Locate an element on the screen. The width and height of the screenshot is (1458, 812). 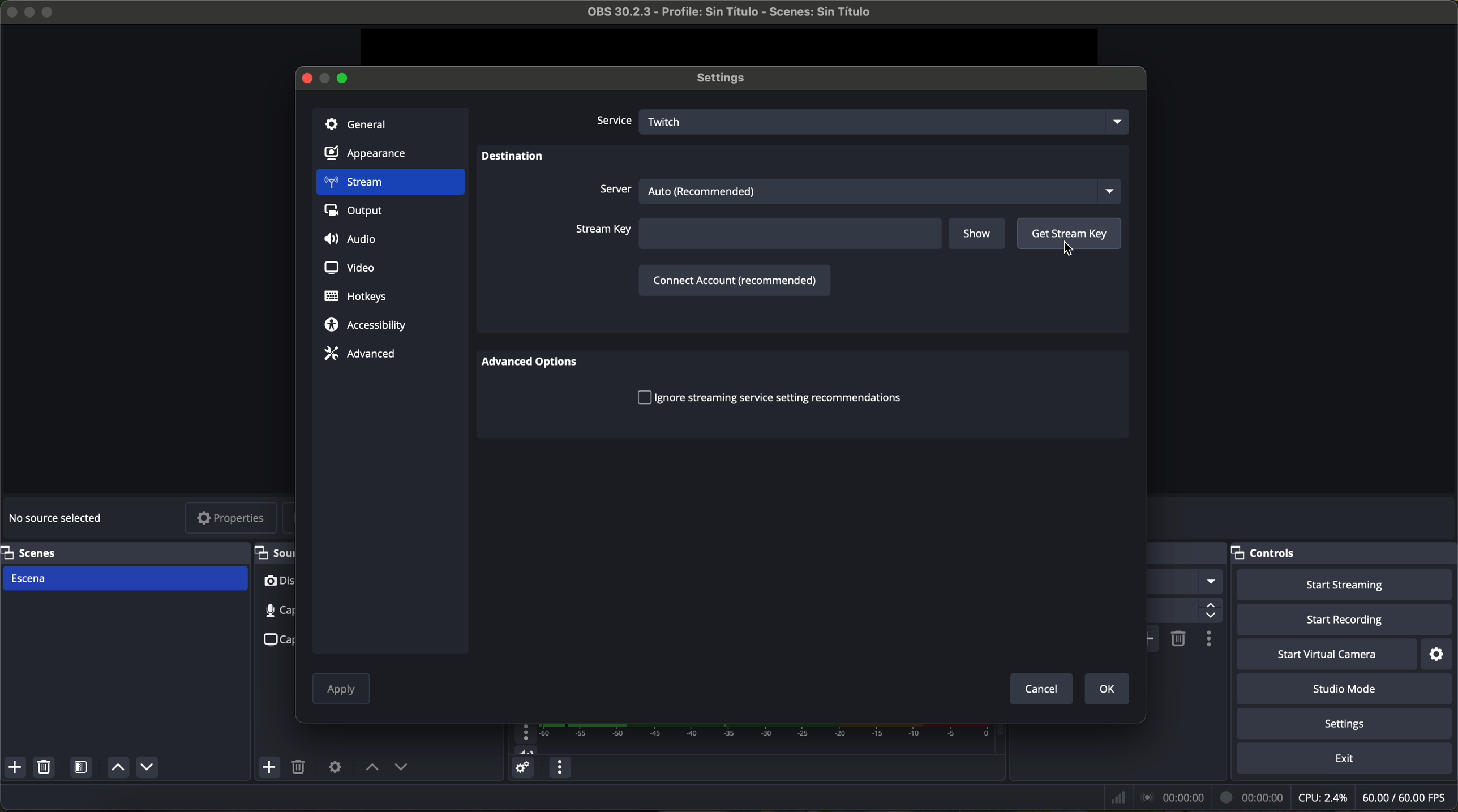
scenes is located at coordinates (121, 552).